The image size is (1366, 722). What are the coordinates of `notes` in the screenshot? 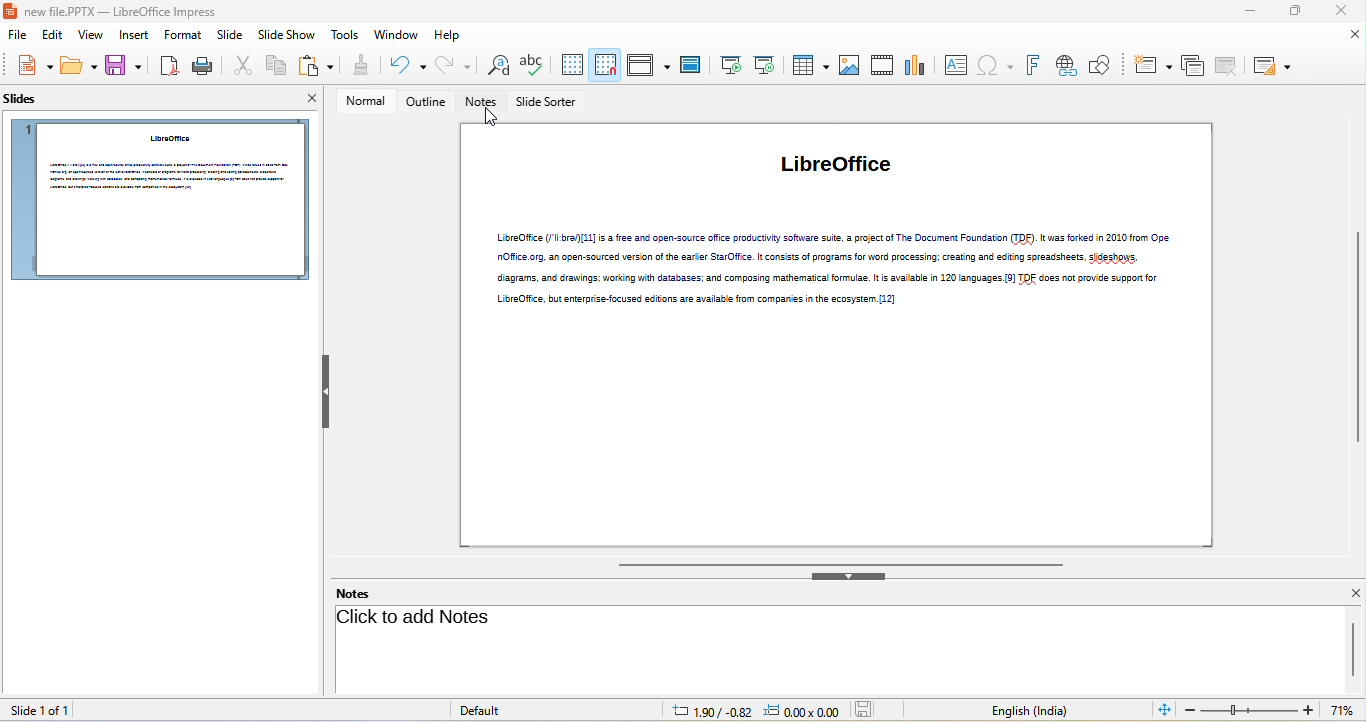 It's located at (351, 594).